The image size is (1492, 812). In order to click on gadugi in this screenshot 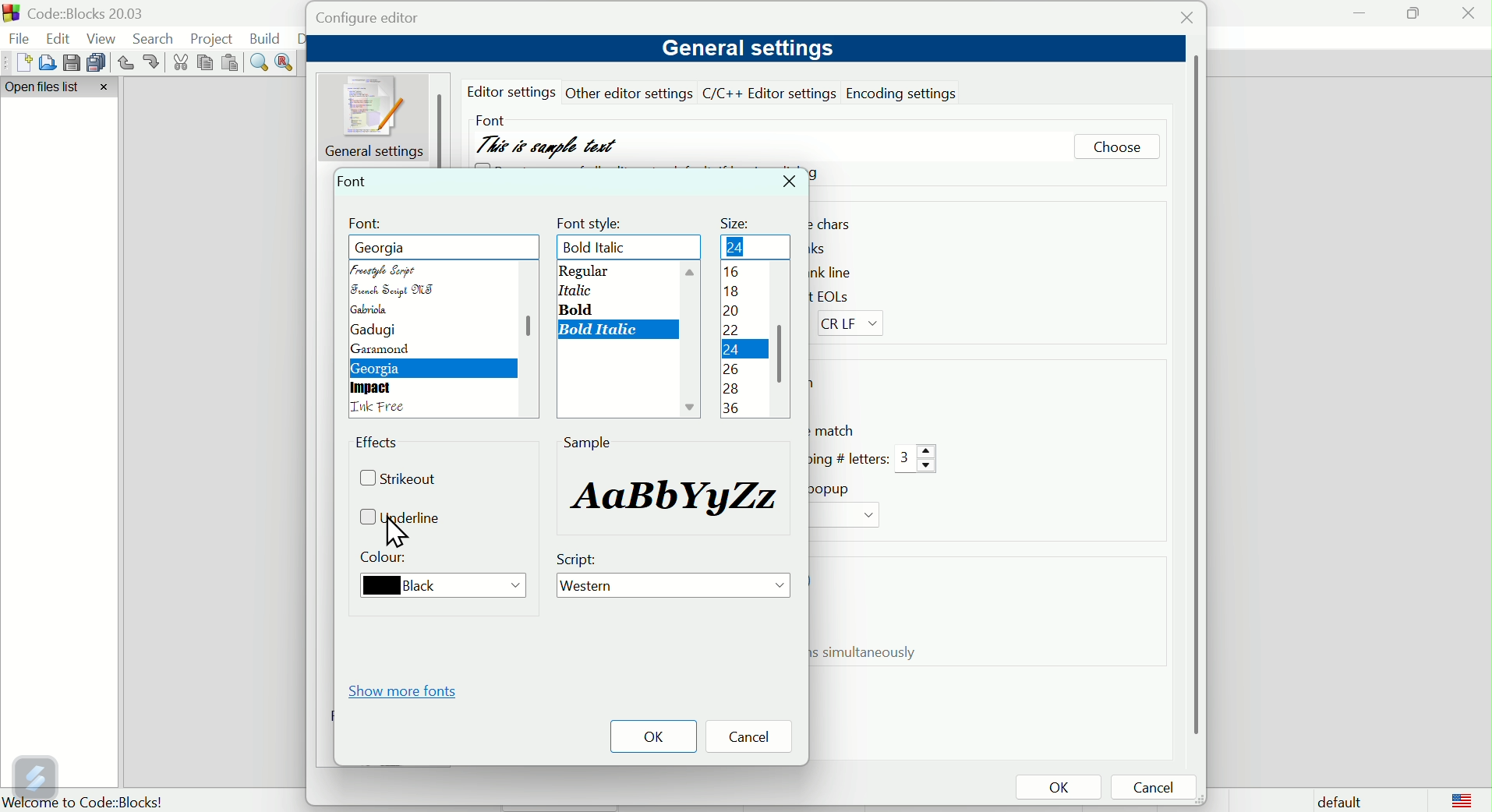, I will do `click(371, 330)`.